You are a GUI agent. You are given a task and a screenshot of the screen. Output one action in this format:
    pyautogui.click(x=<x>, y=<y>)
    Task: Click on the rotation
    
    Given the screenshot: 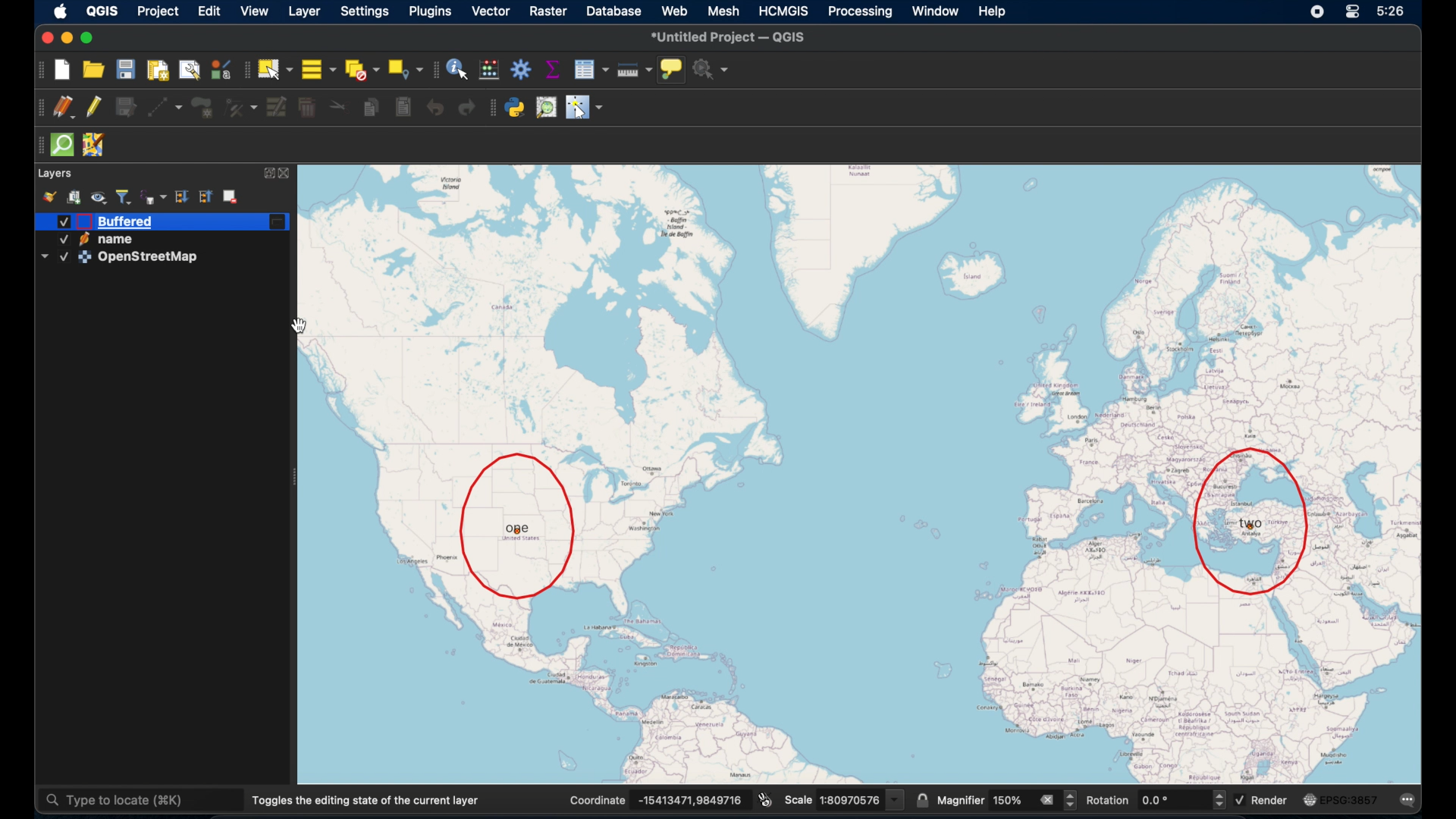 What is the action you would take?
    pyautogui.click(x=1109, y=800)
    